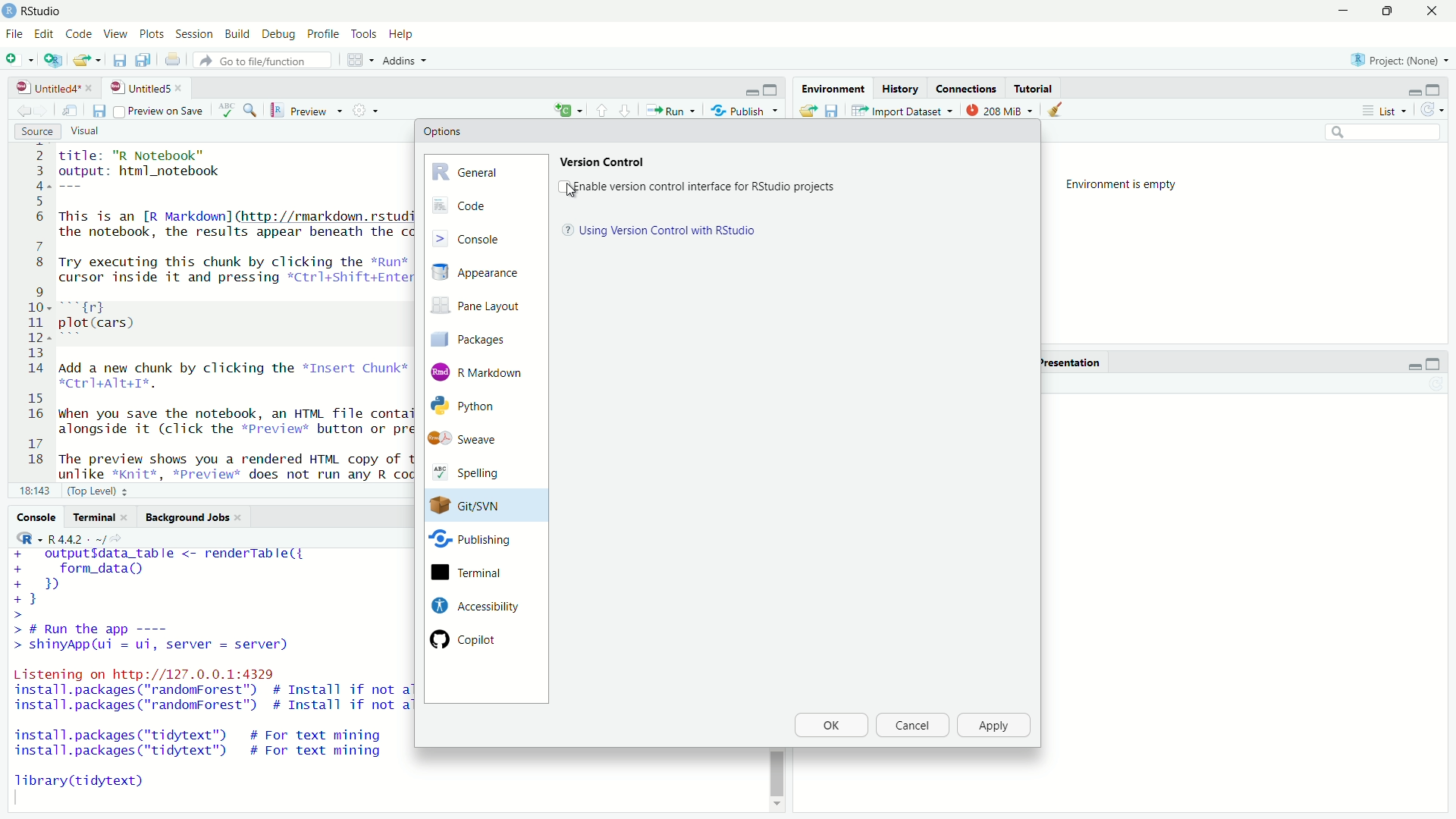  Describe the element at coordinates (1413, 91) in the screenshot. I see `minimize` at that location.